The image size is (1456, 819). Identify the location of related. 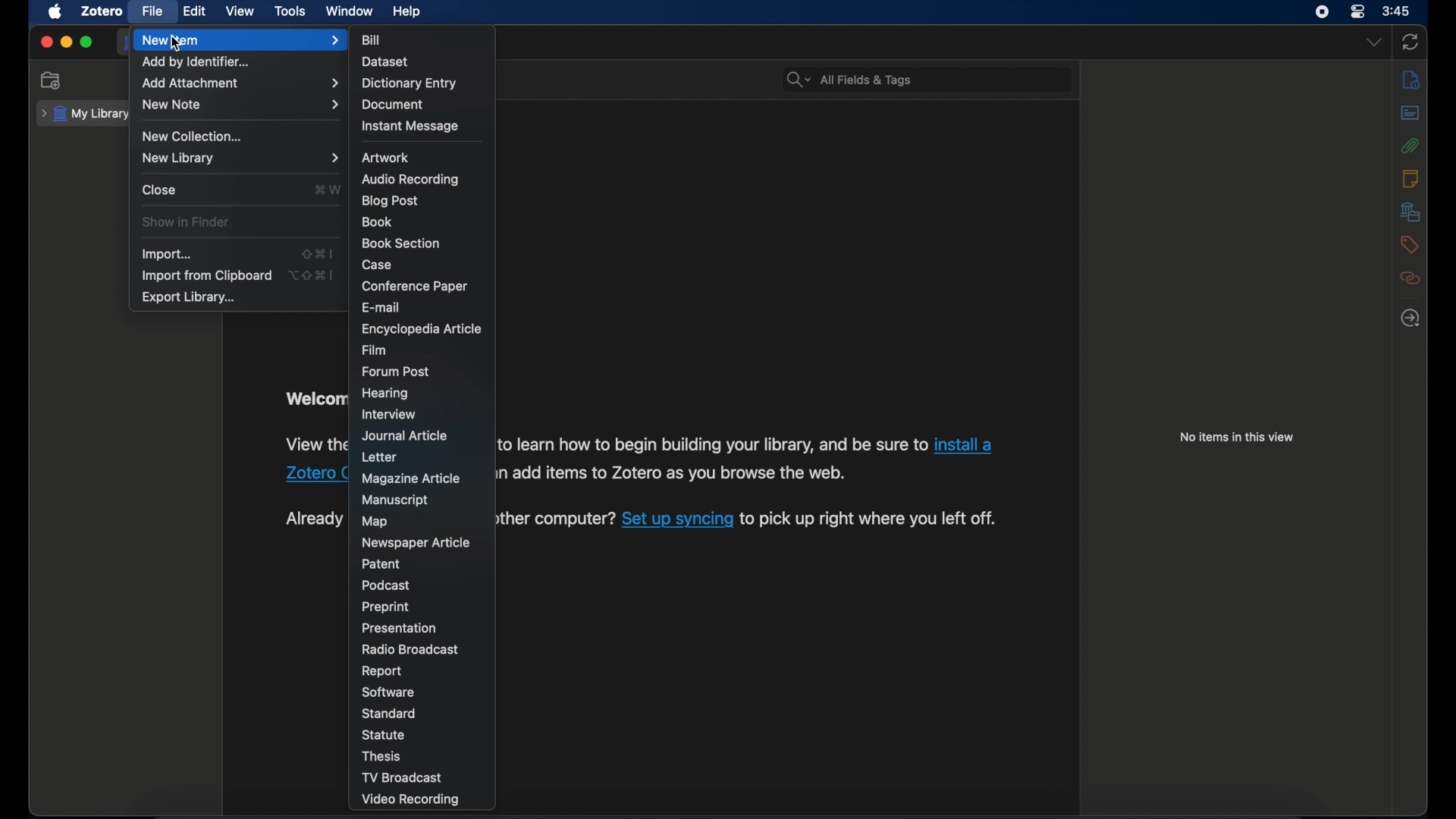
(1411, 278).